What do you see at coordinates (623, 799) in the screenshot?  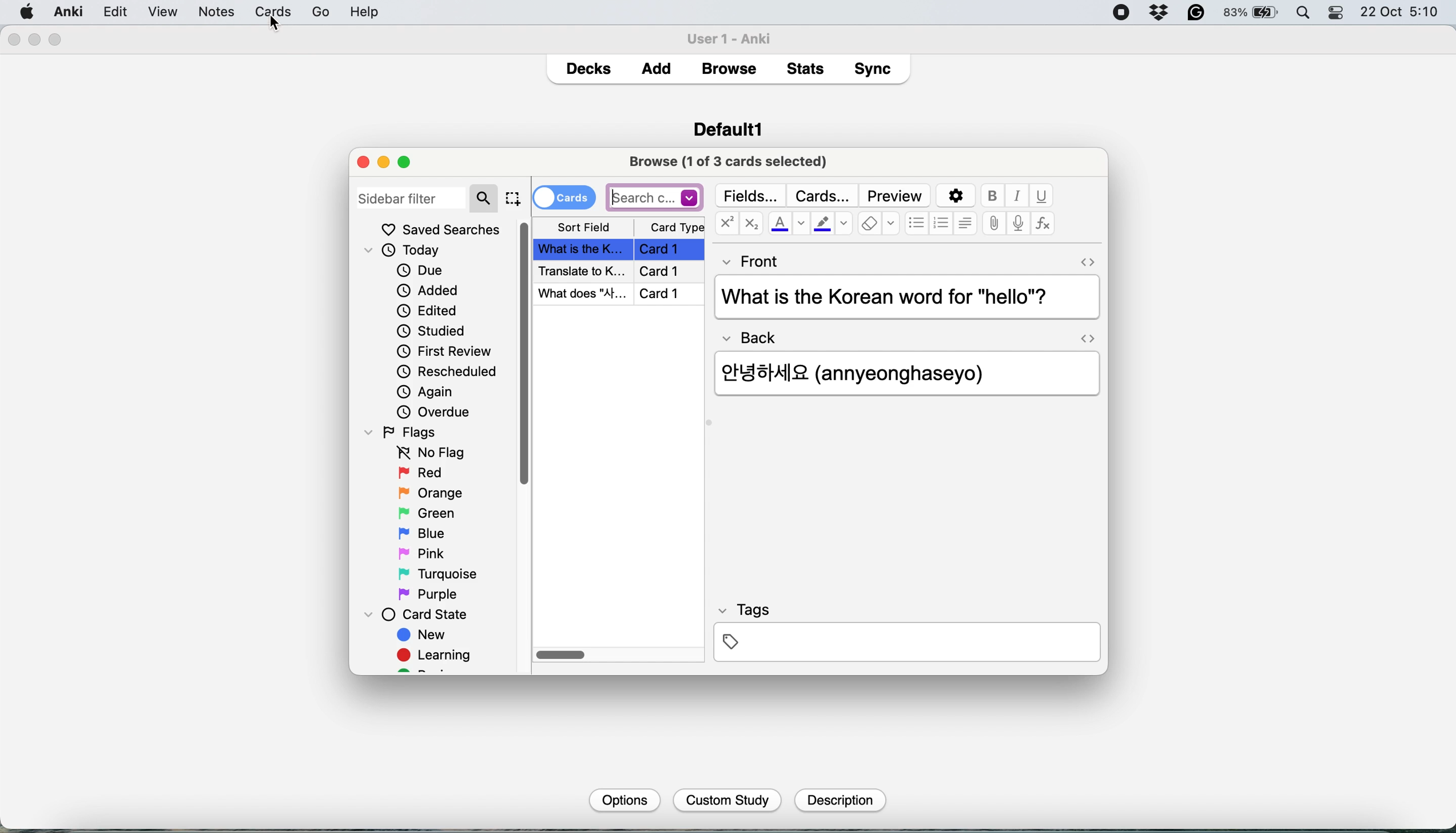 I see `Options` at bounding box center [623, 799].